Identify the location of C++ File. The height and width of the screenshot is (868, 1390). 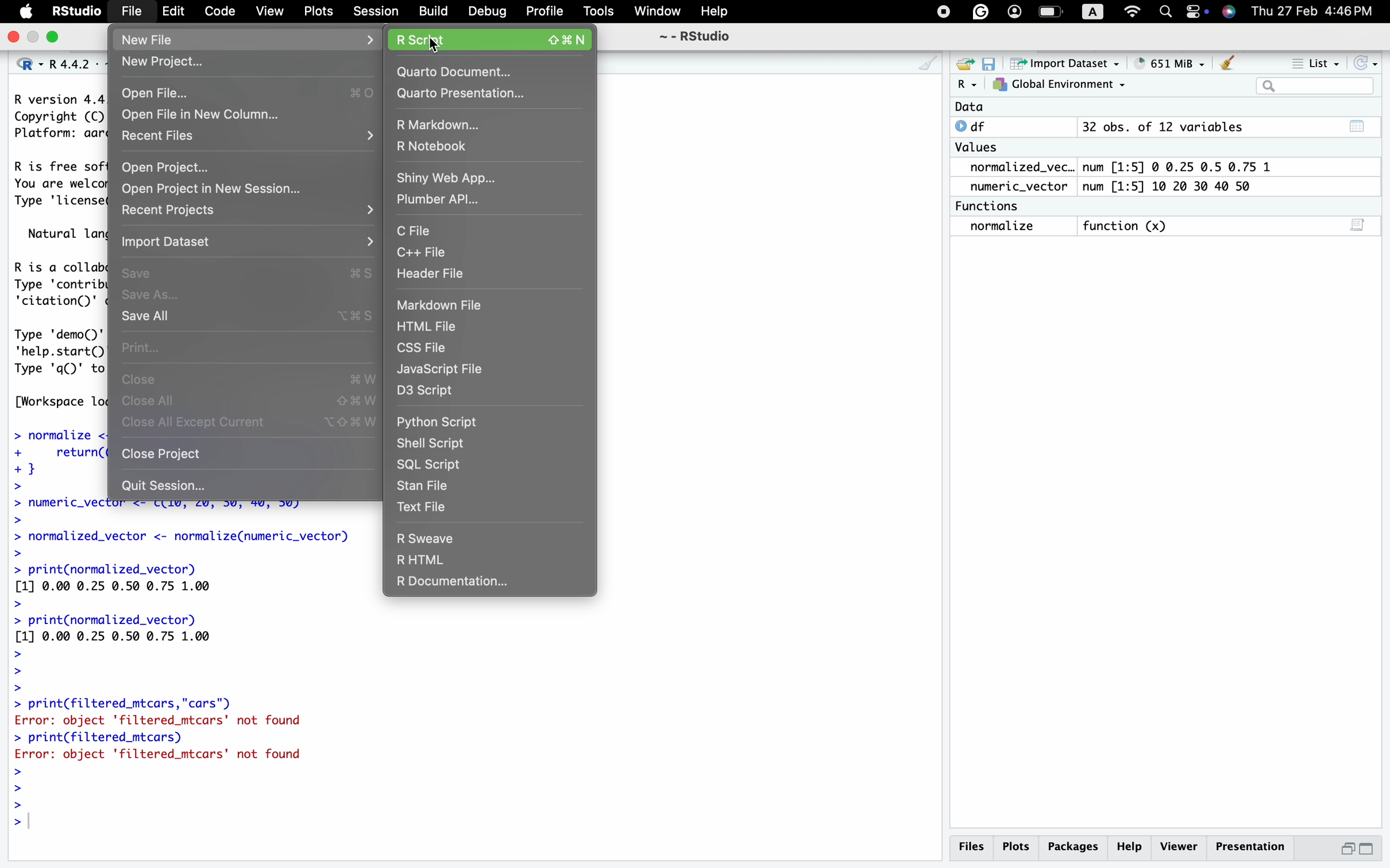
(431, 253).